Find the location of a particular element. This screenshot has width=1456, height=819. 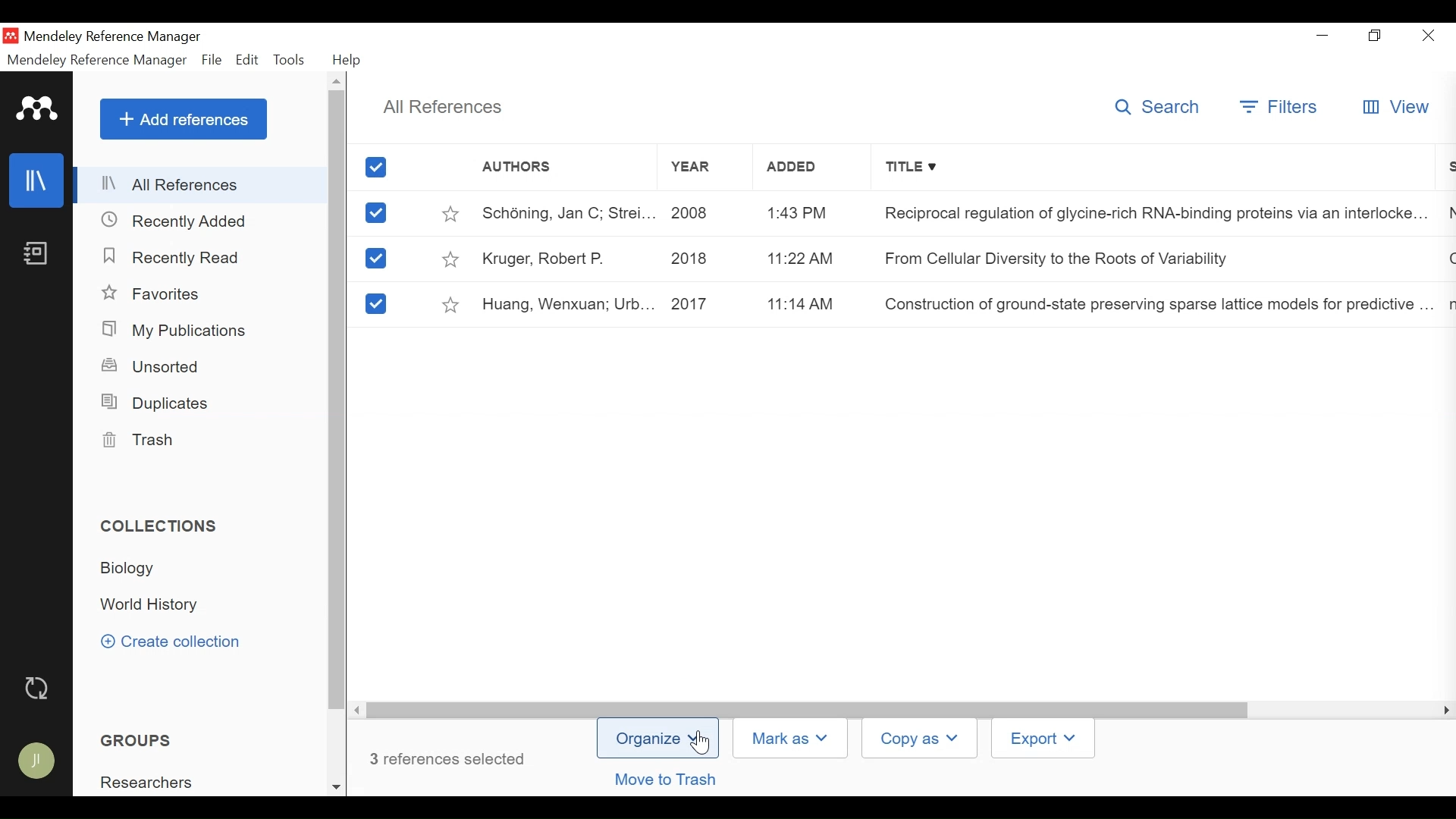

Duplicates is located at coordinates (156, 403).